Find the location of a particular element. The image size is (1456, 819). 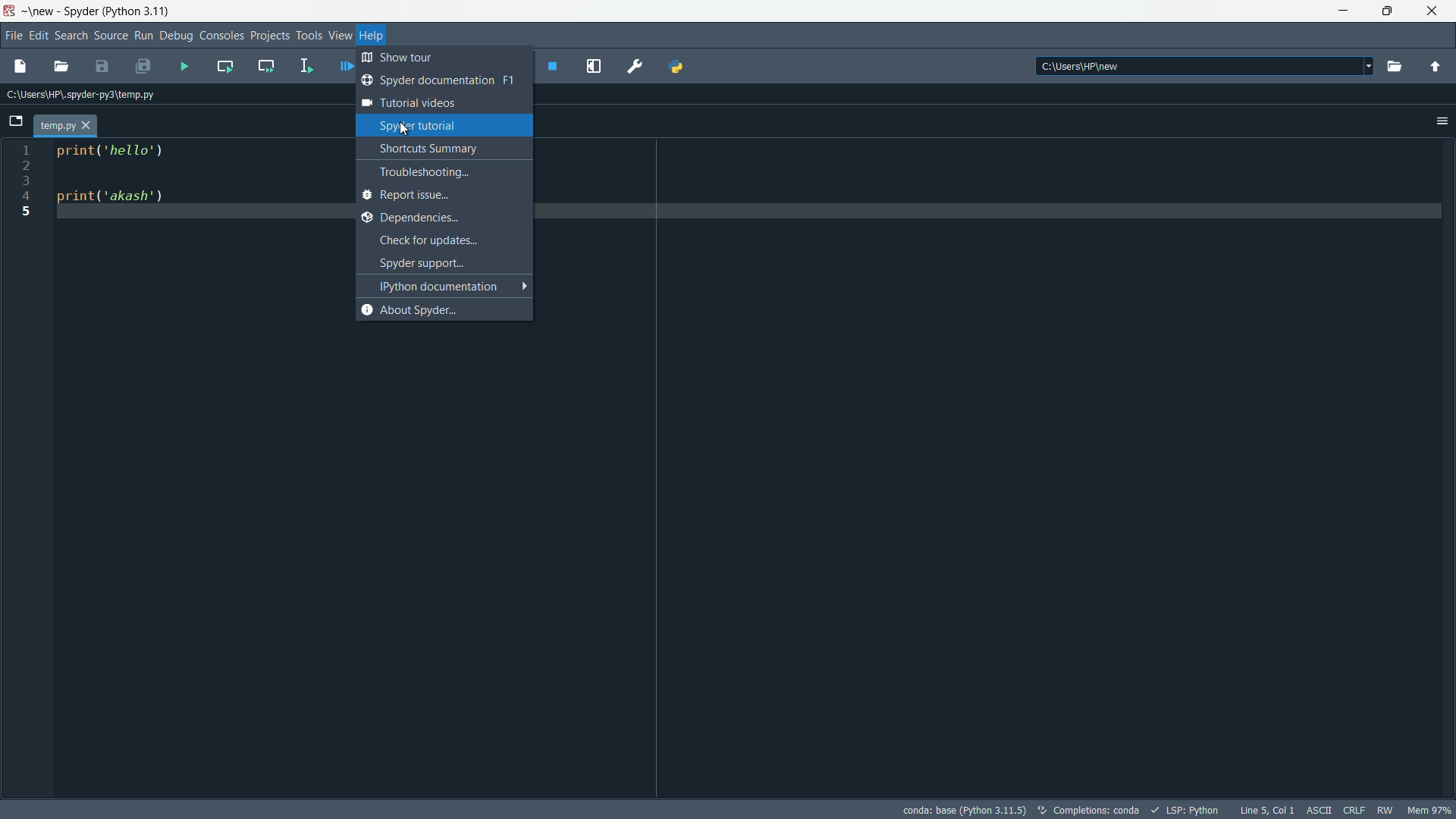

spyder documentation f1 is located at coordinates (440, 80).